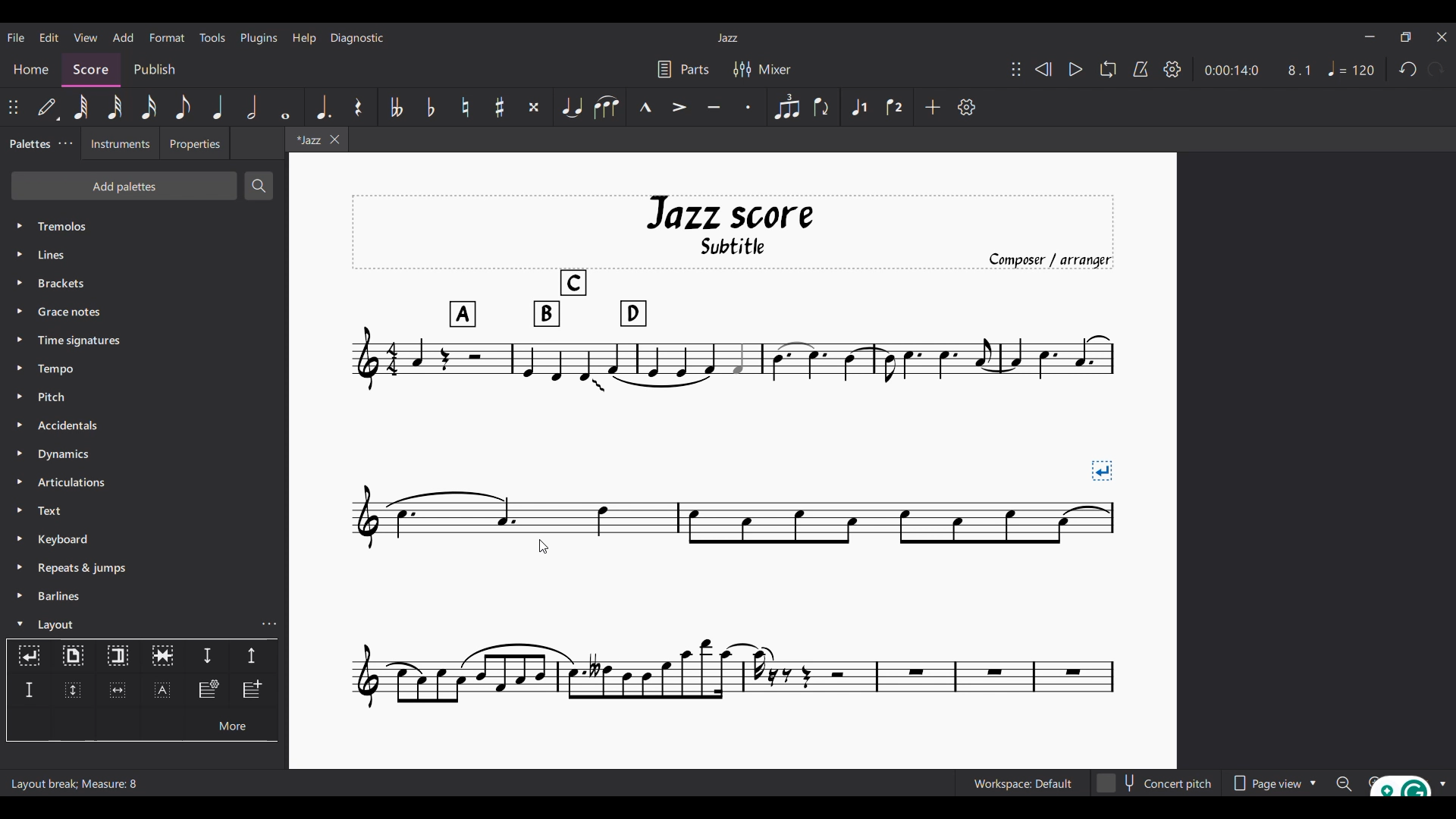 This screenshot has width=1456, height=819. What do you see at coordinates (1023, 783) in the screenshot?
I see `Workspace: Default` at bounding box center [1023, 783].